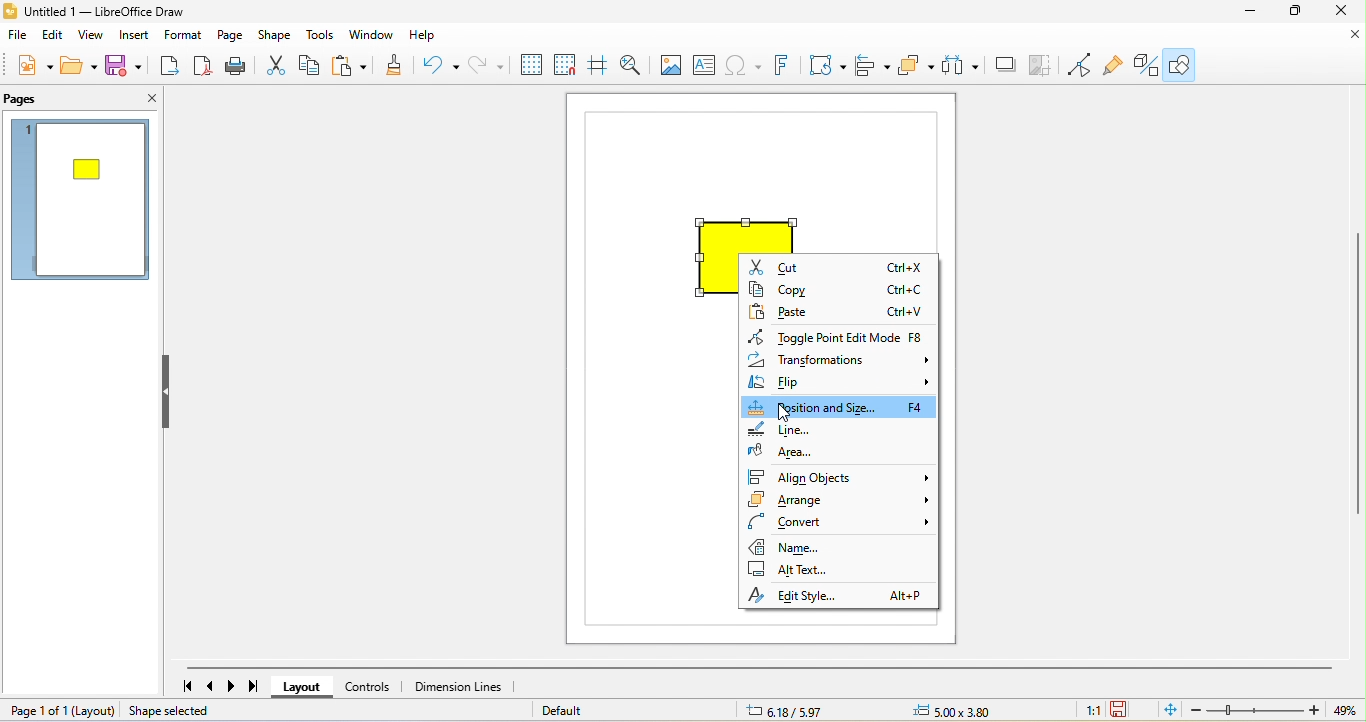 The width and height of the screenshot is (1366, 722). I want to click on hide, so click(168, 394).